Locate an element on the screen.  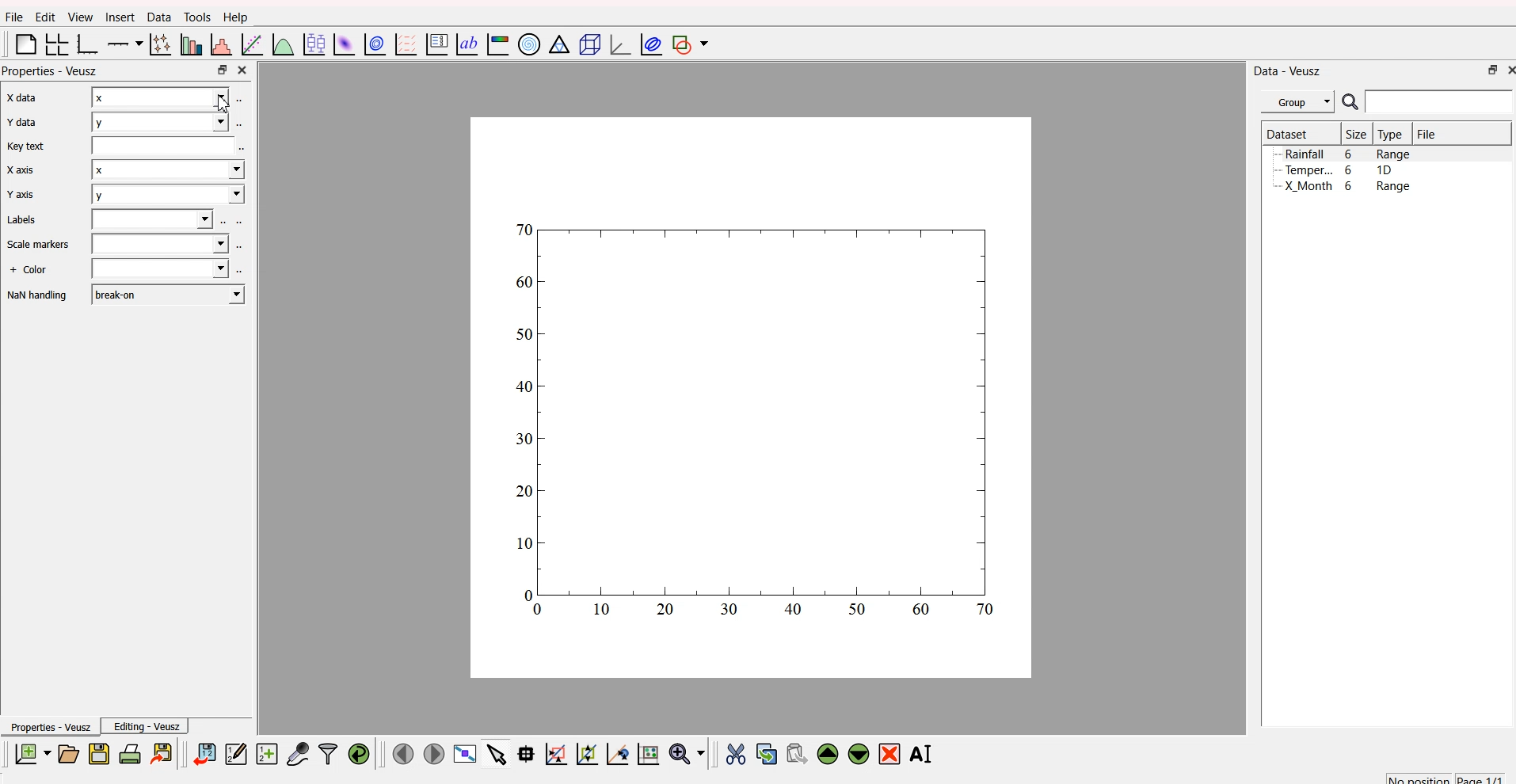
Rainfall 6 Range is located at coordinates (1350, 154).